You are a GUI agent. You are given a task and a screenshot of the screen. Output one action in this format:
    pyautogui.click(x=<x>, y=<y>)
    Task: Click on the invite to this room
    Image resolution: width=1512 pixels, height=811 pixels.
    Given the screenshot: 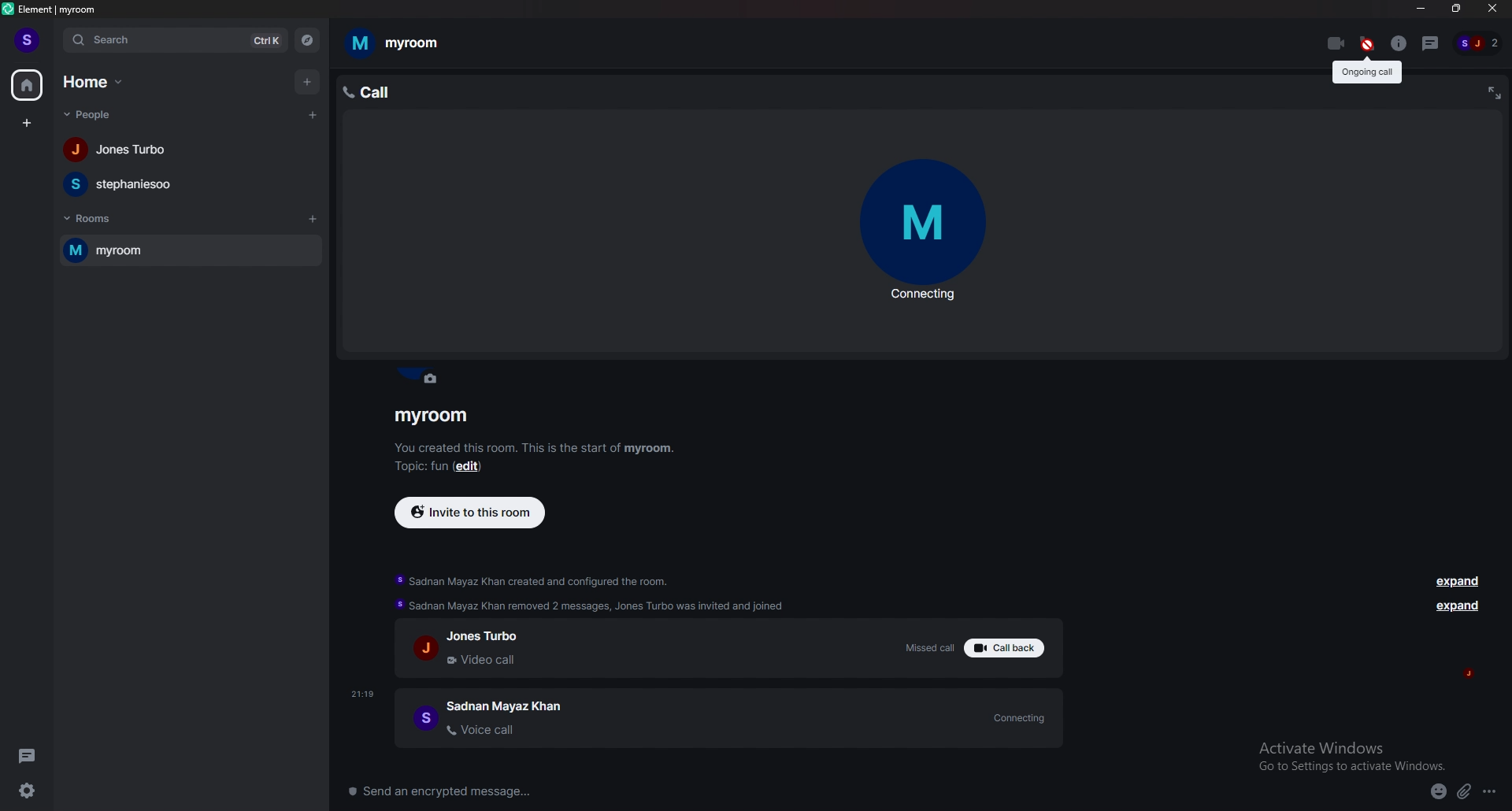 What is the action you would take?
    pyautogui.click(x=476, y=513)
    